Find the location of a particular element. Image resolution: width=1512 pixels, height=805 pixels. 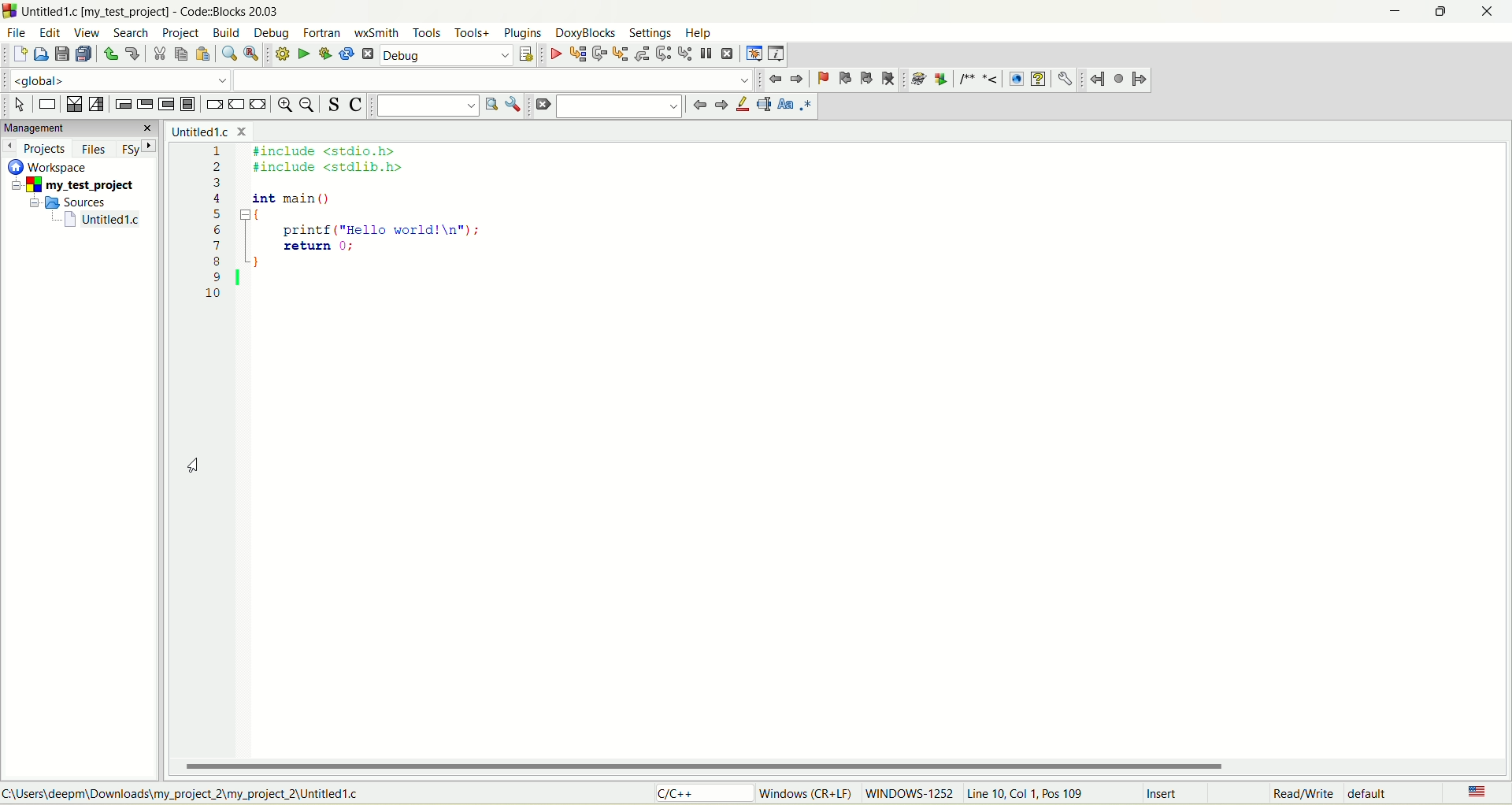

CHM is located at coordinates (1039, 80).